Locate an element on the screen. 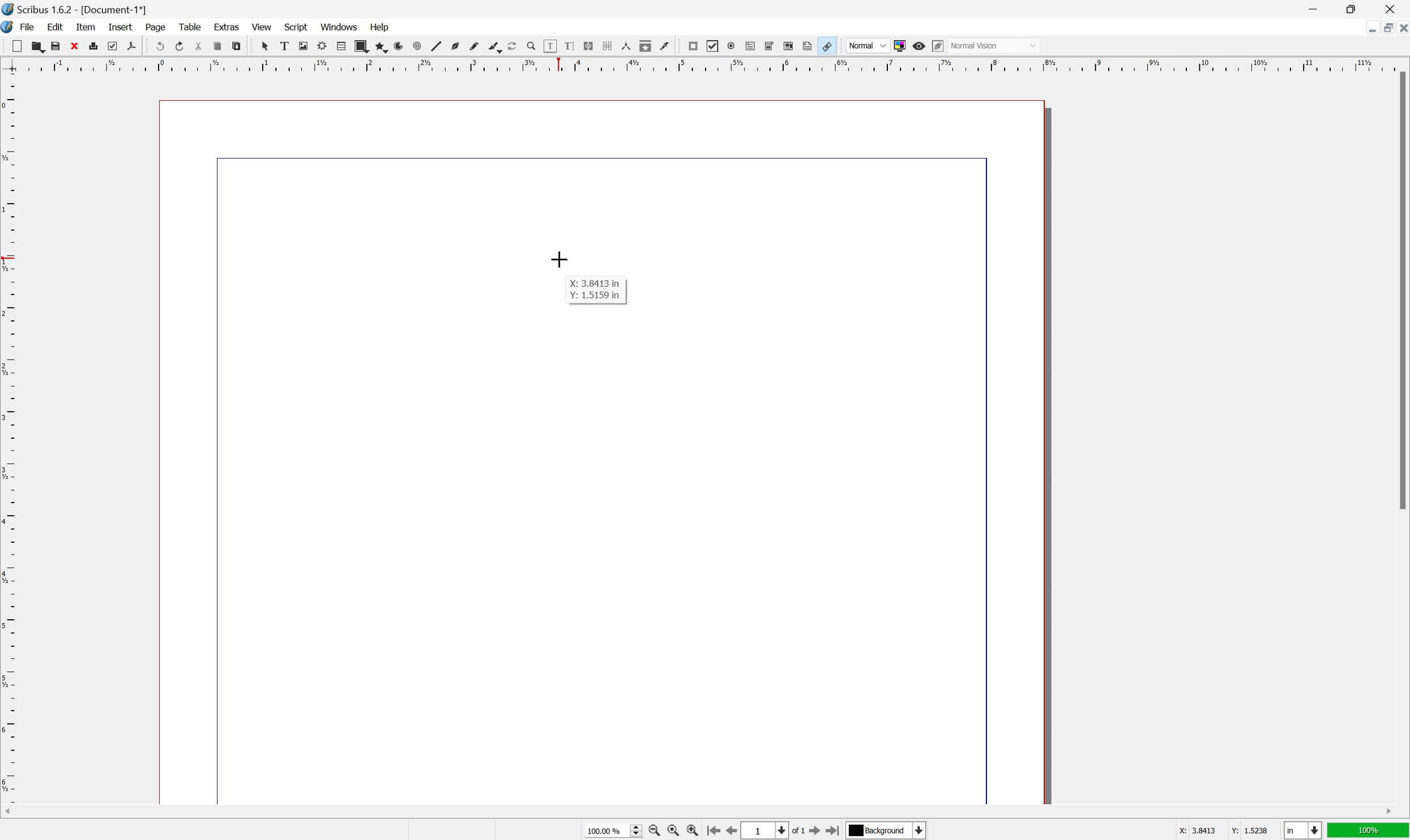 Image resolution: width=1410 pixels, height=840 pixels. pdf radio button is located at coordinates (731, 46).